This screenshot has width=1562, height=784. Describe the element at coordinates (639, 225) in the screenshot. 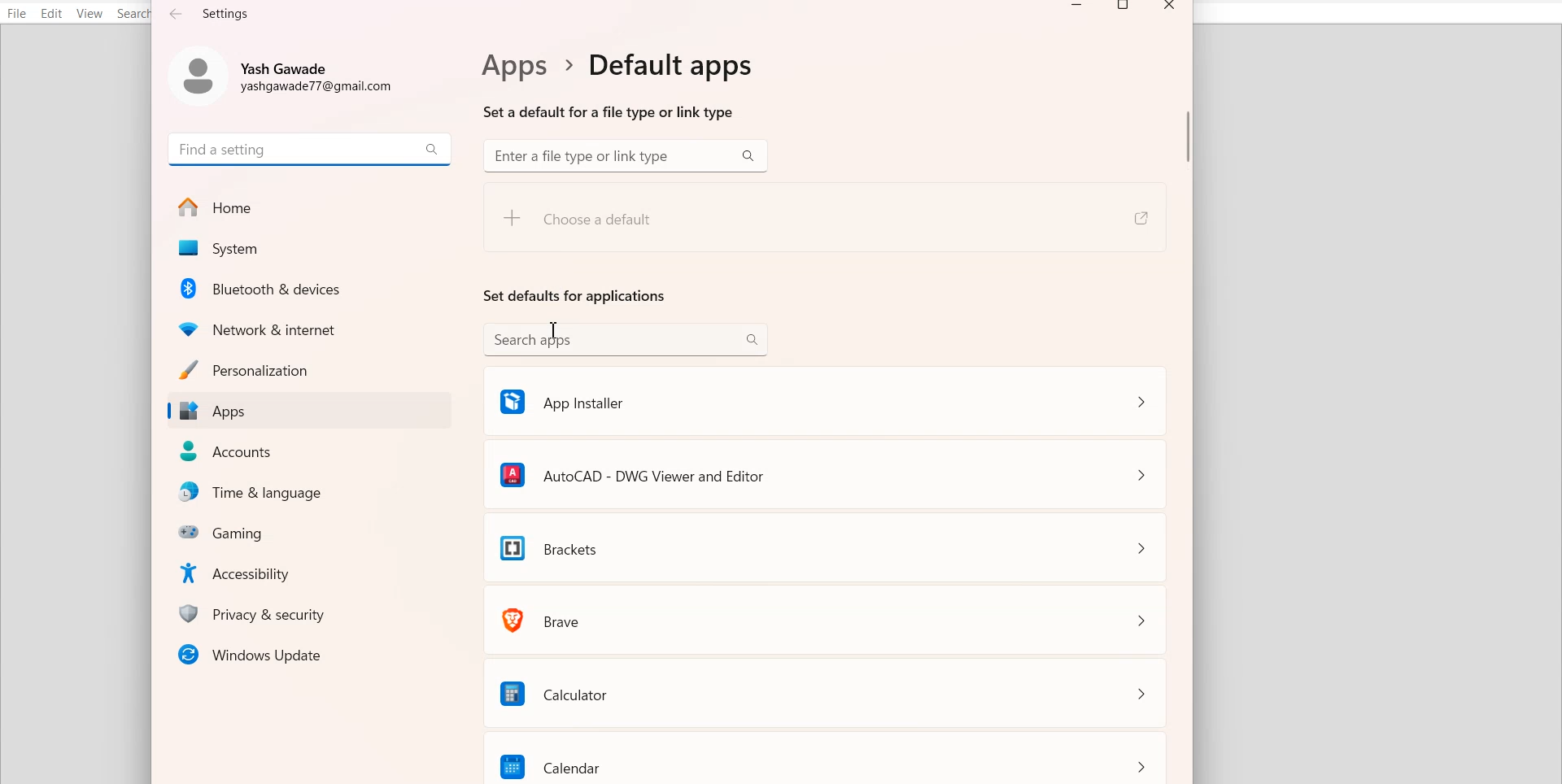

I see `Choose a default` at that location.